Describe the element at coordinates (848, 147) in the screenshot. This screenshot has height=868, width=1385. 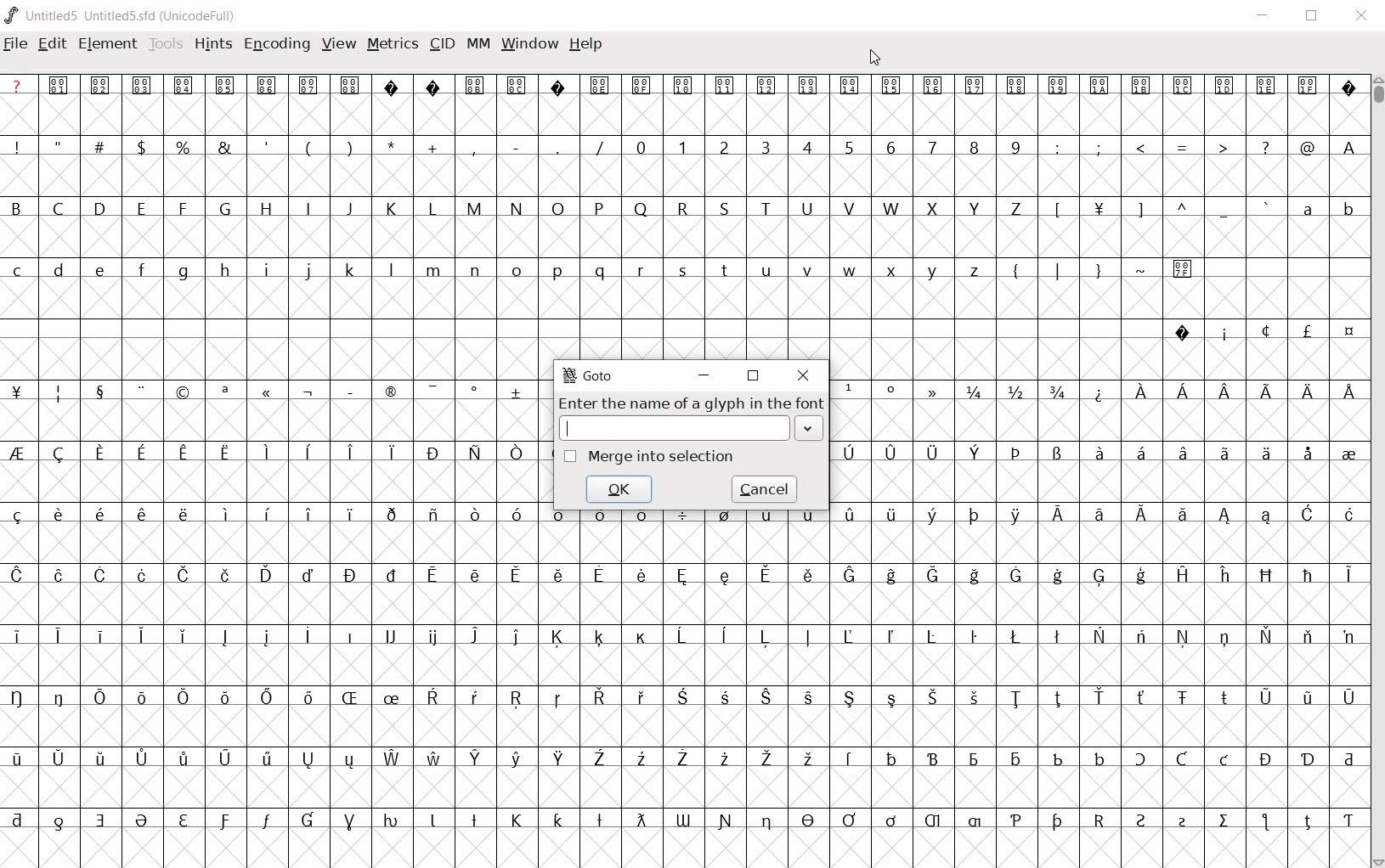
I see `5` at that location.